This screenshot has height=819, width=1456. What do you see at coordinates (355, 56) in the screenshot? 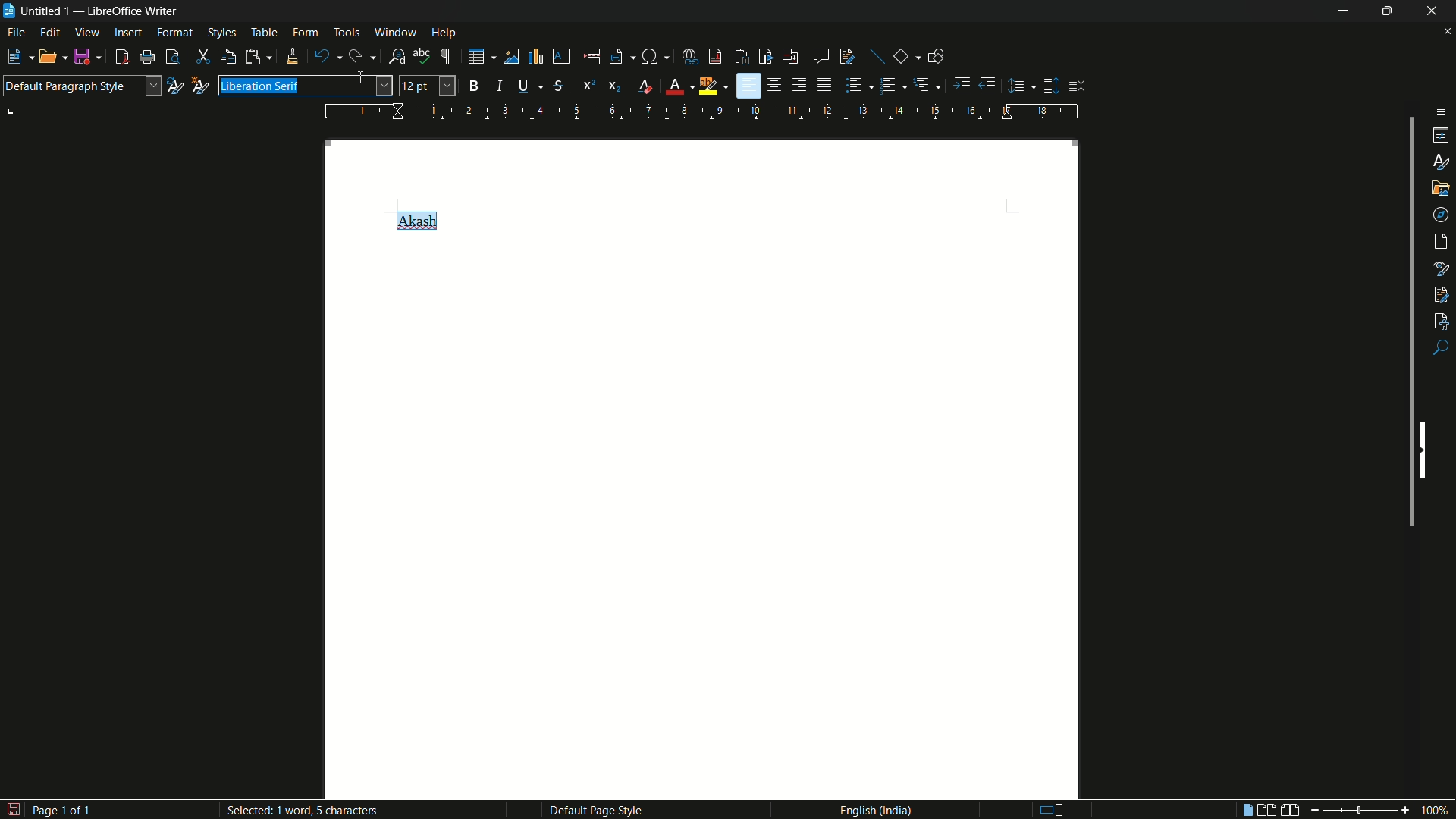
I see `redo` at bounding box center [355, 56].